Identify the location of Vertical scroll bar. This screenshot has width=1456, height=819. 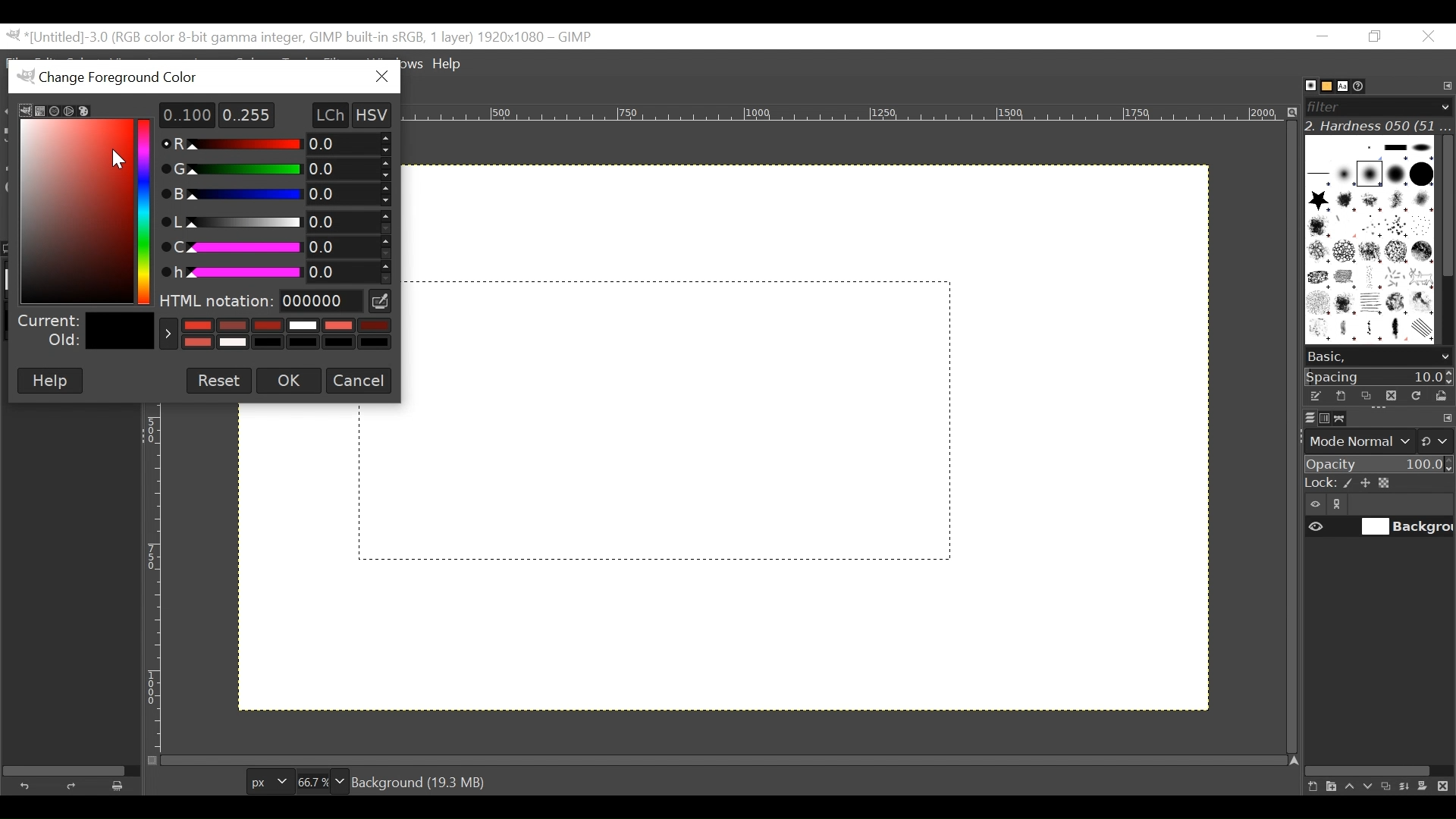
(1446, 204).